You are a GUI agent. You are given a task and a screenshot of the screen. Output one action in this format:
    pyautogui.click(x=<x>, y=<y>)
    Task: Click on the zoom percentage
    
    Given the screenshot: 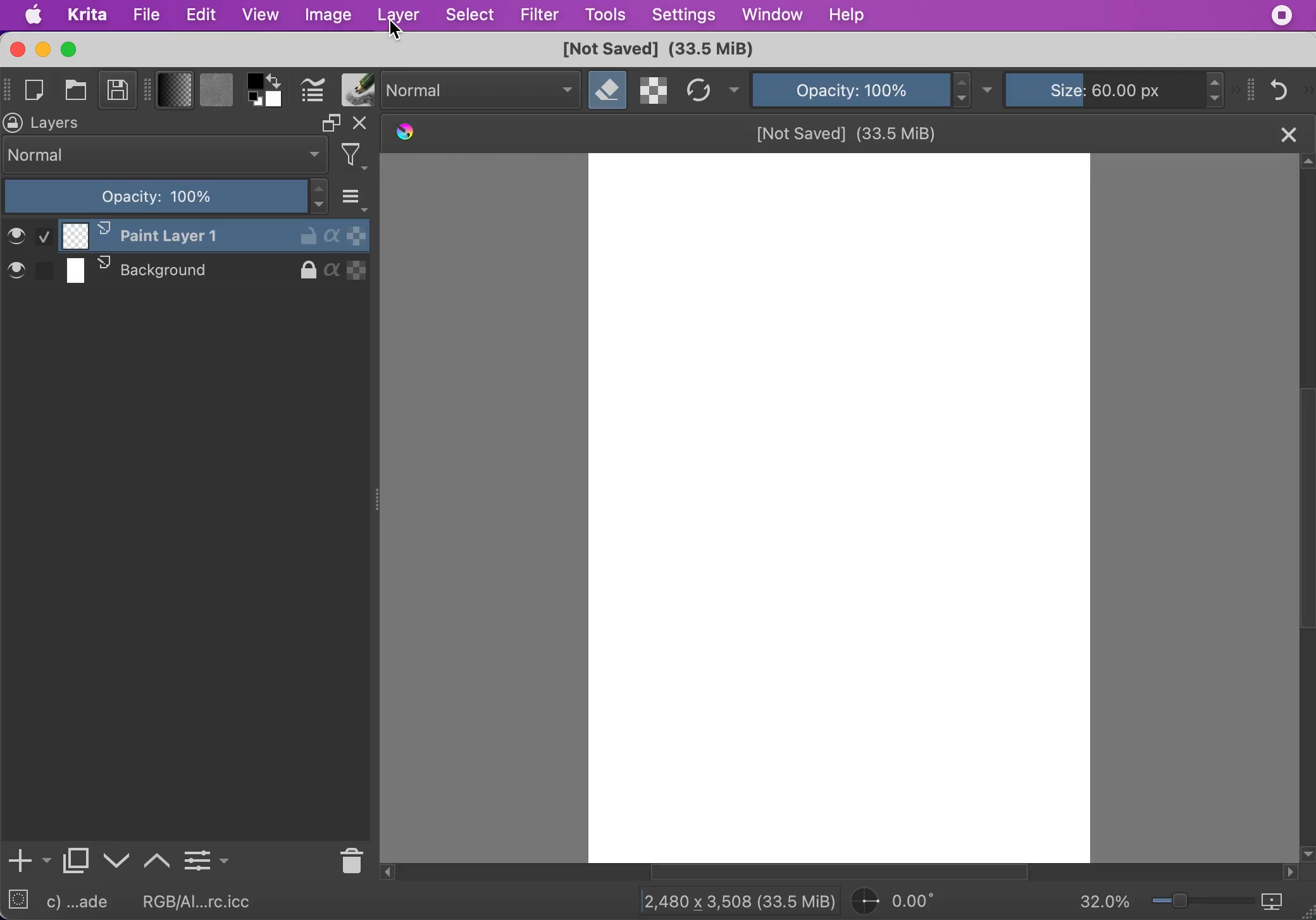 What is the action you would take?
    pyautogui.click(x=1105, y=903)
    